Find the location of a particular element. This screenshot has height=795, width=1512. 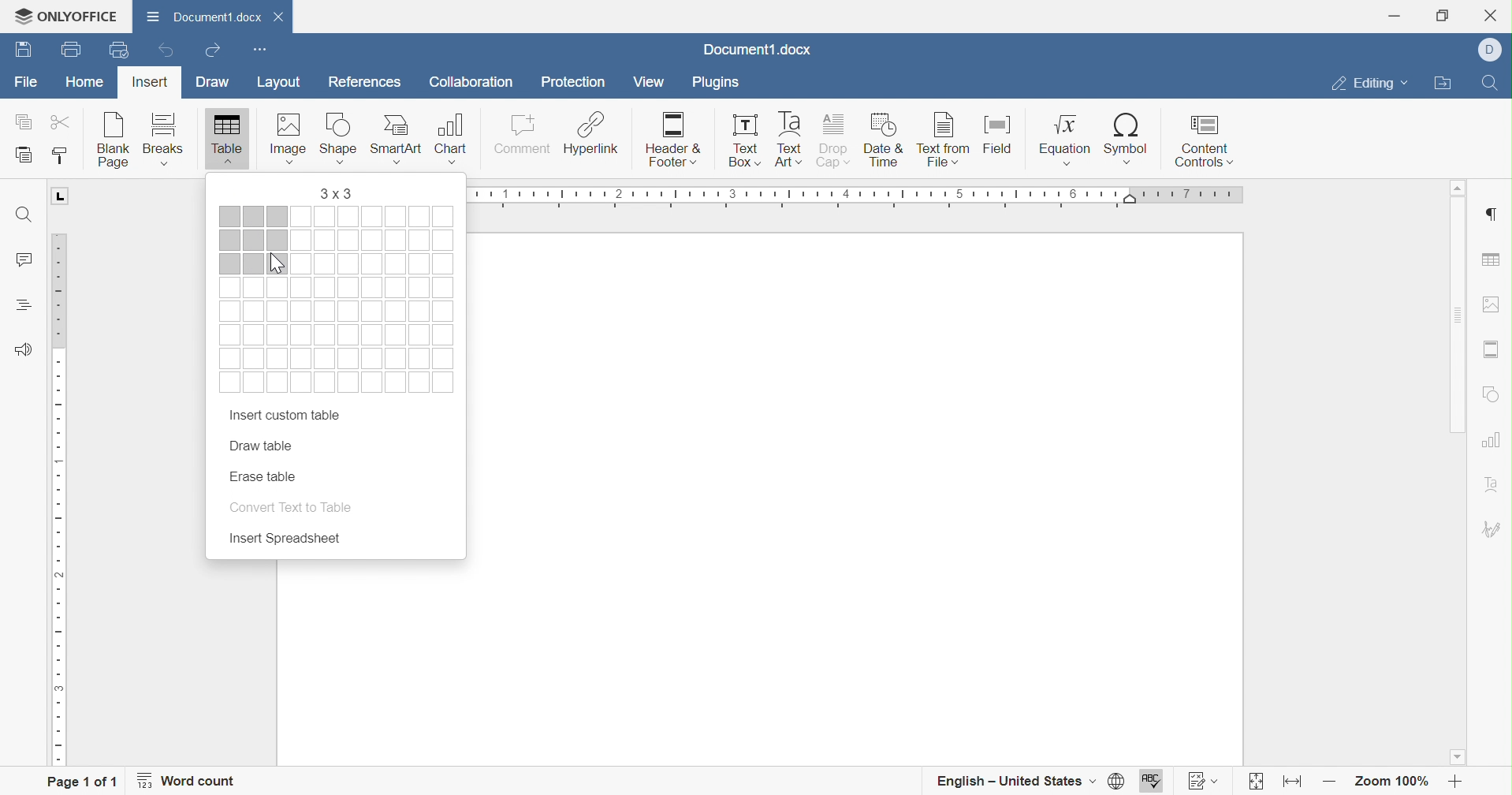

Restore down is located at coordinates (1442, 17).